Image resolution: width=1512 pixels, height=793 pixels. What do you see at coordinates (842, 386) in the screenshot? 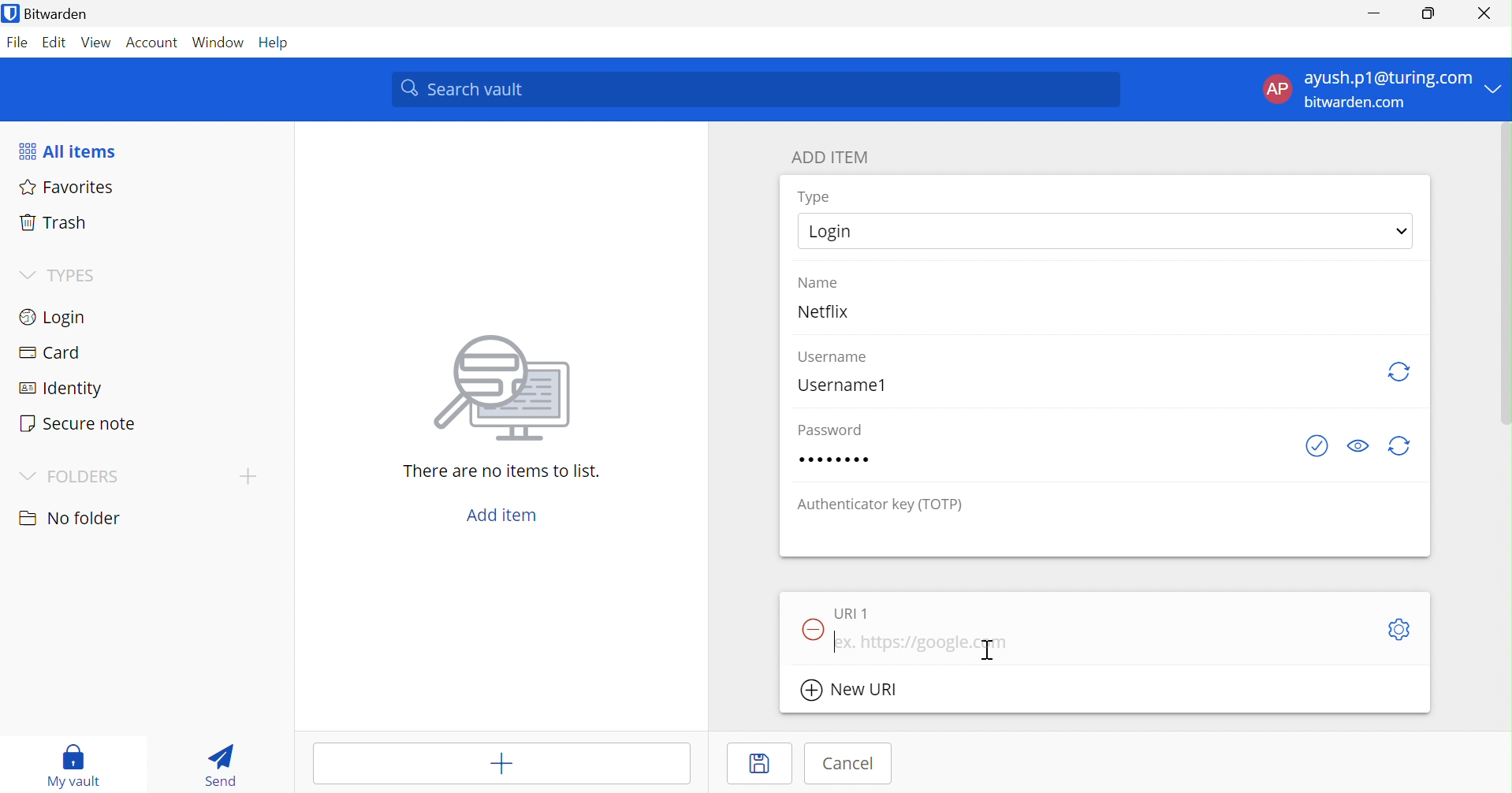
I see `Username1` at bounding box center [842, 386].